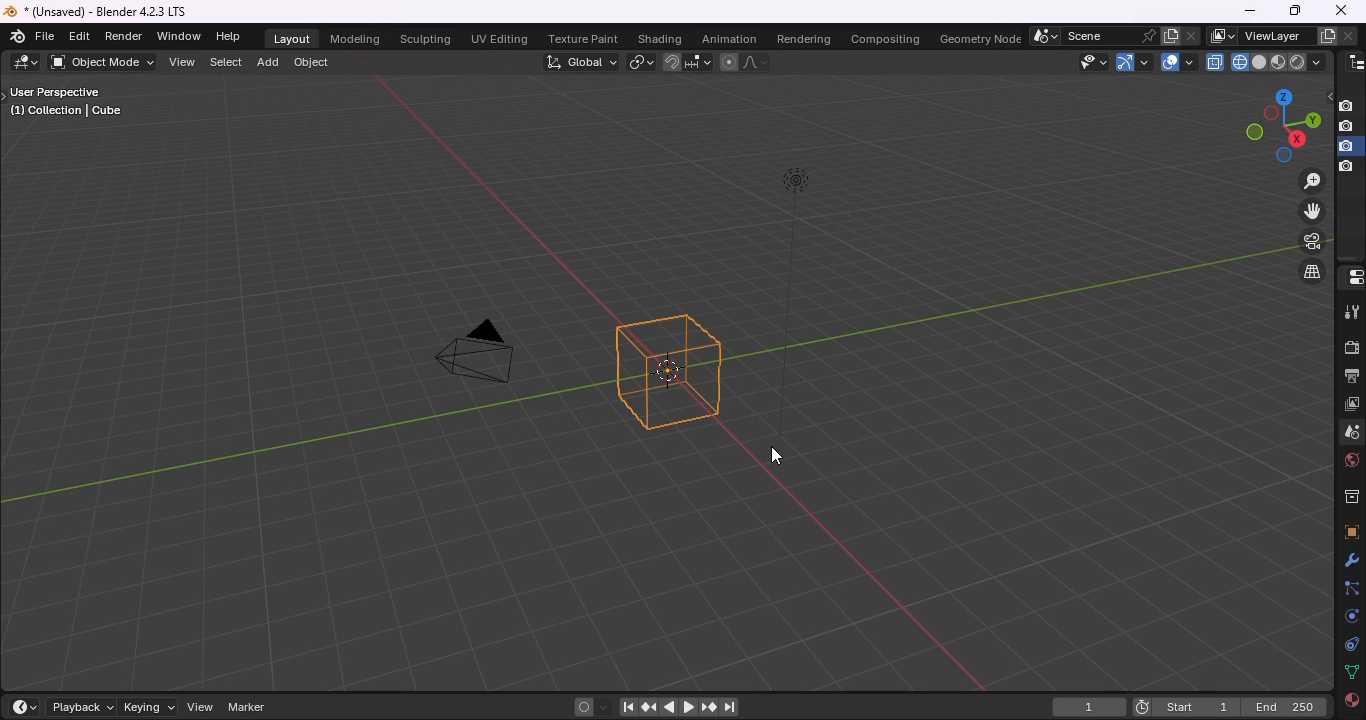 Image resolution: width=1366 pixels, height=720 pixels. I want to click on overlays, so click(1177, 62).